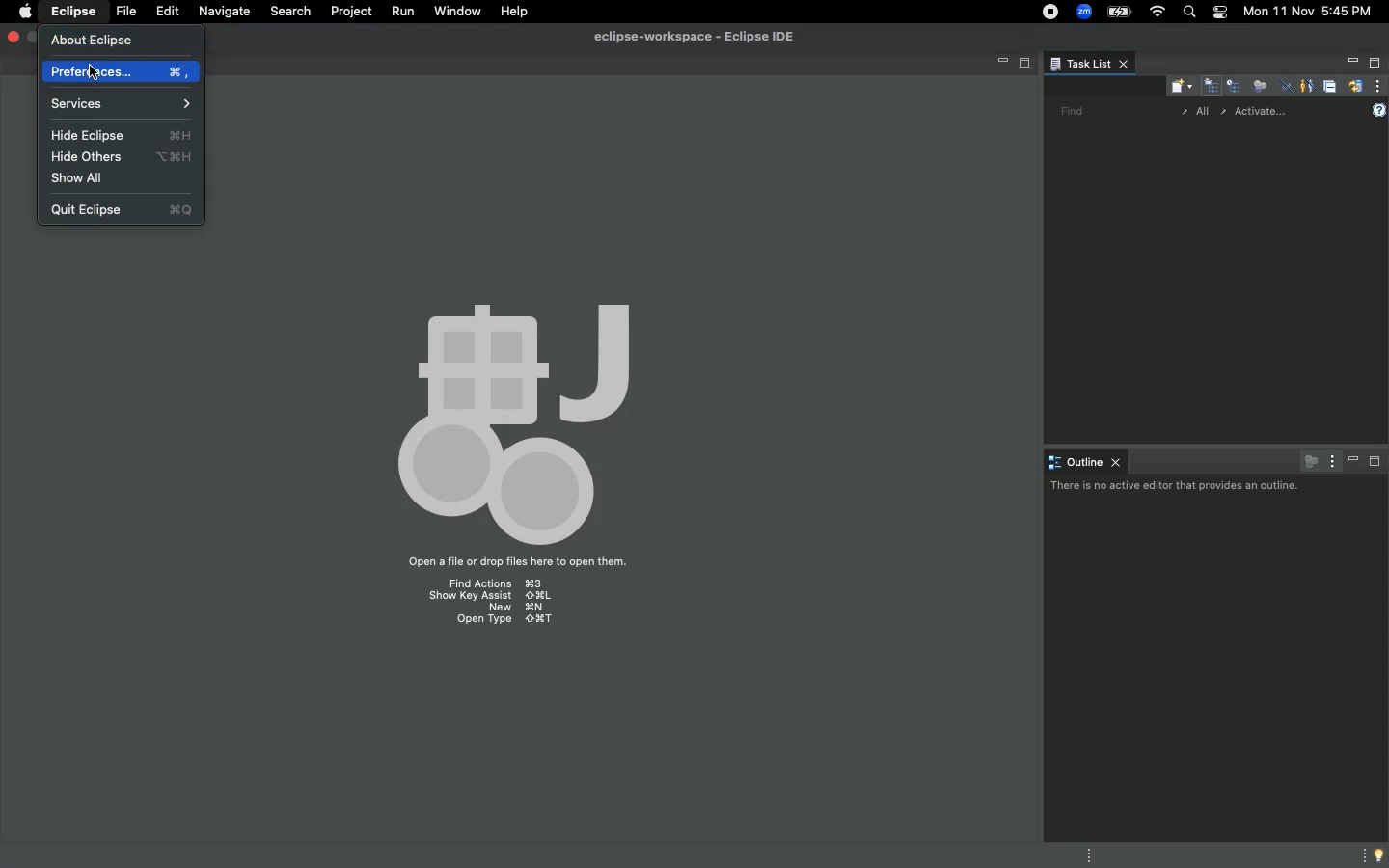  I want to click on Minimize , so click(1349, 64).